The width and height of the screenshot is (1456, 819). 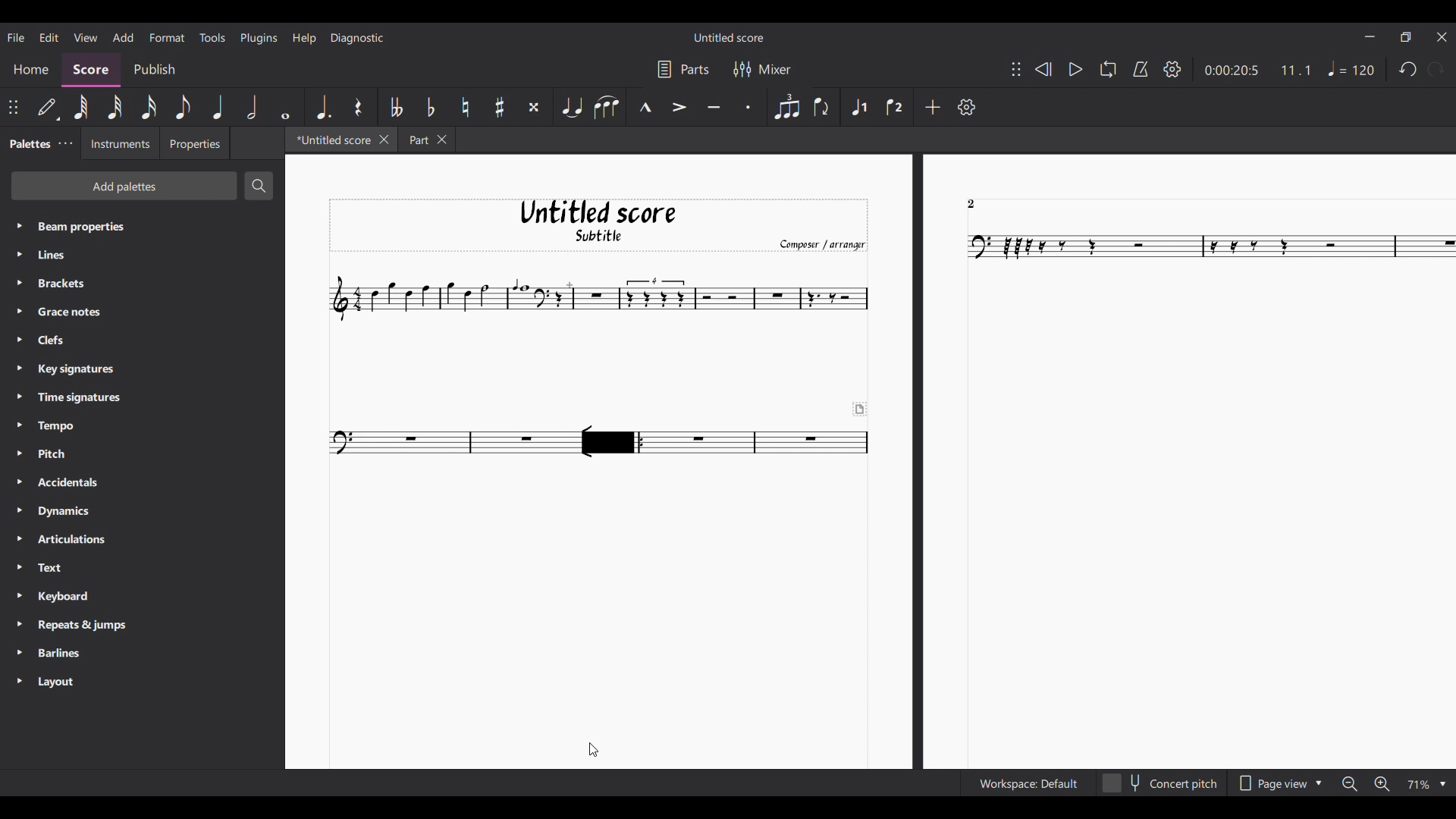 I want to click on Slur, so click(x=606, y=107).